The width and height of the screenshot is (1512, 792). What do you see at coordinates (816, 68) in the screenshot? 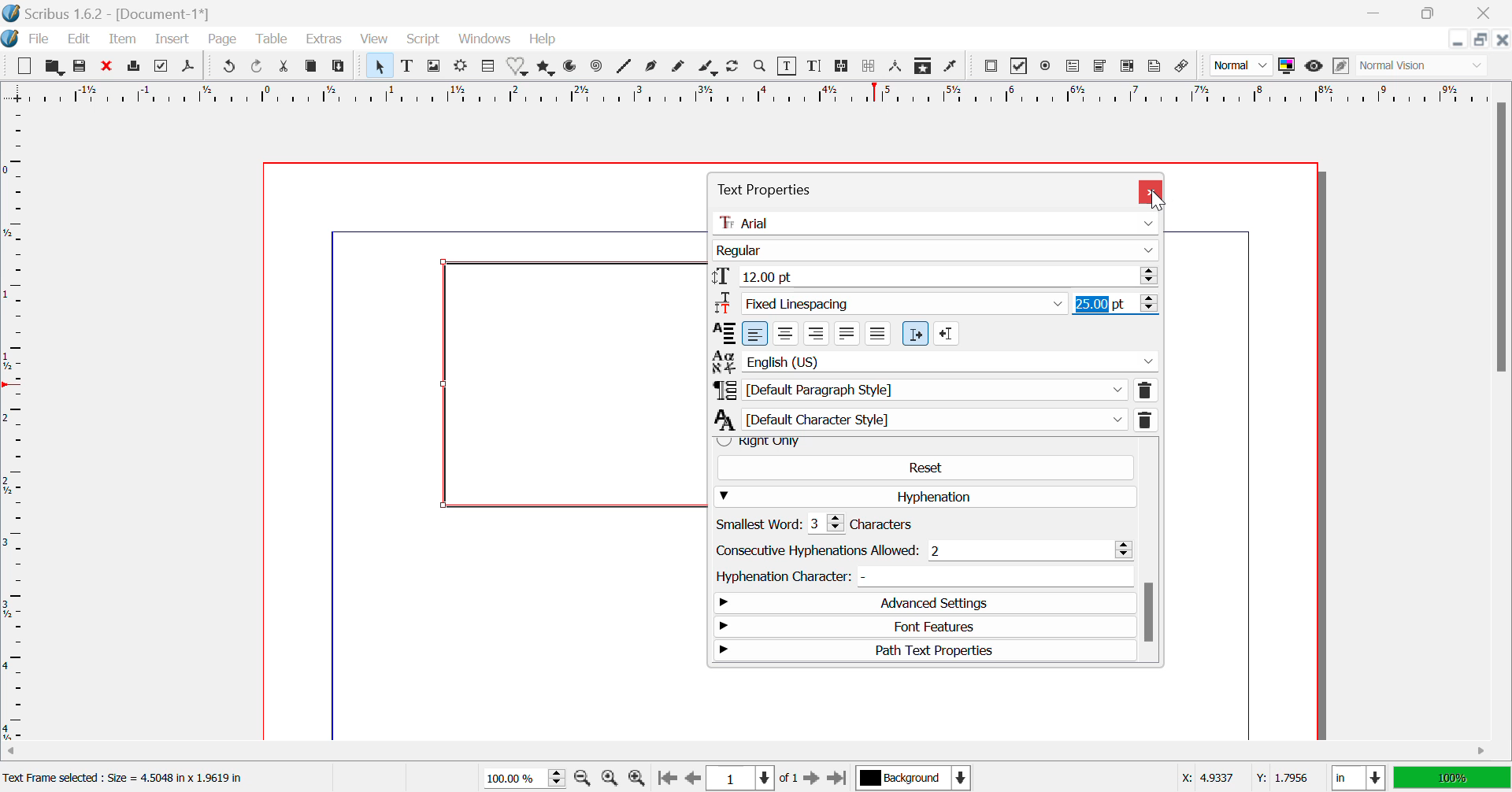
I see `Edit Text with Story Editor` at bounding box center [816, 68].